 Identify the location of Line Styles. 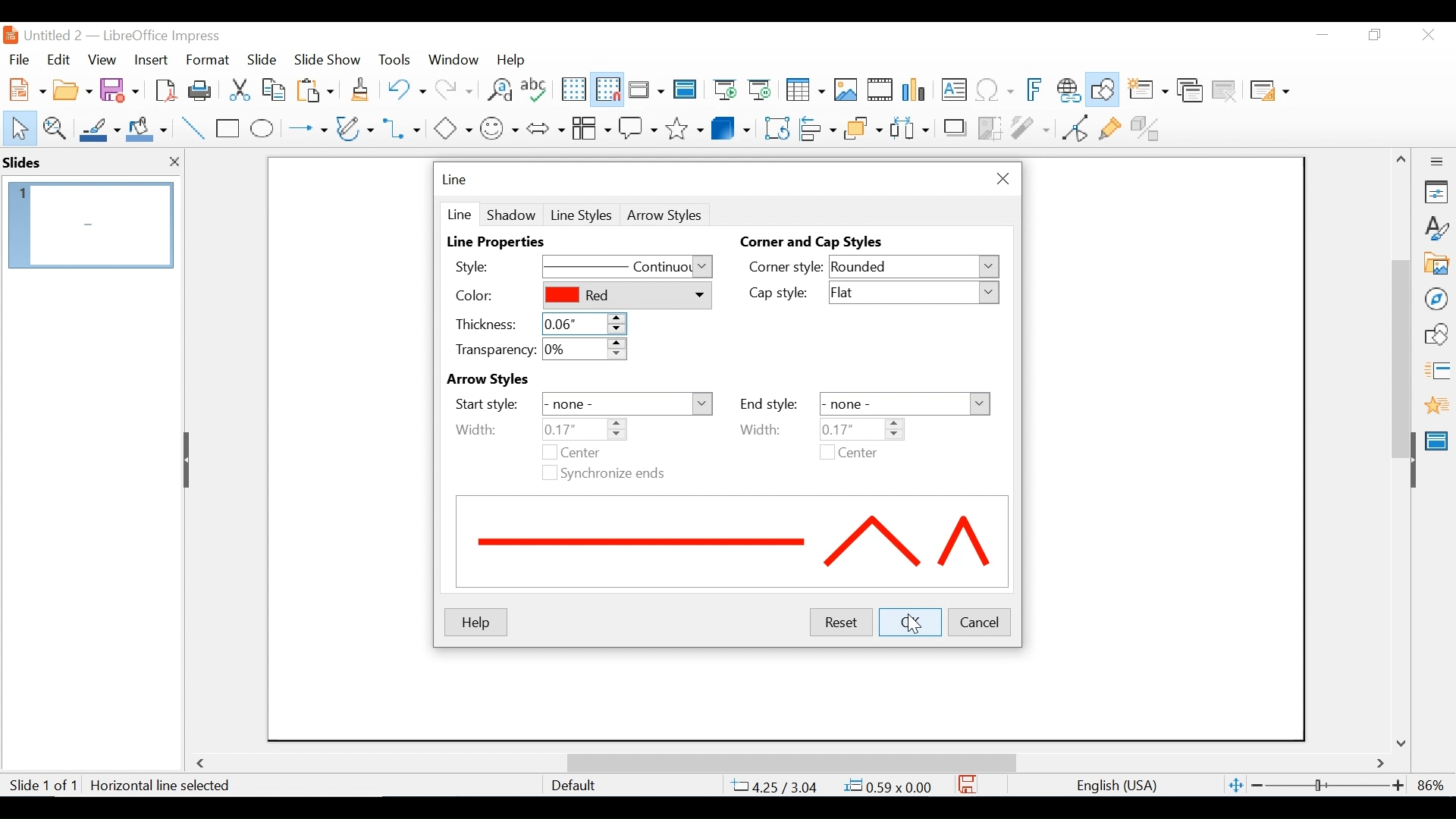
(582, 215).